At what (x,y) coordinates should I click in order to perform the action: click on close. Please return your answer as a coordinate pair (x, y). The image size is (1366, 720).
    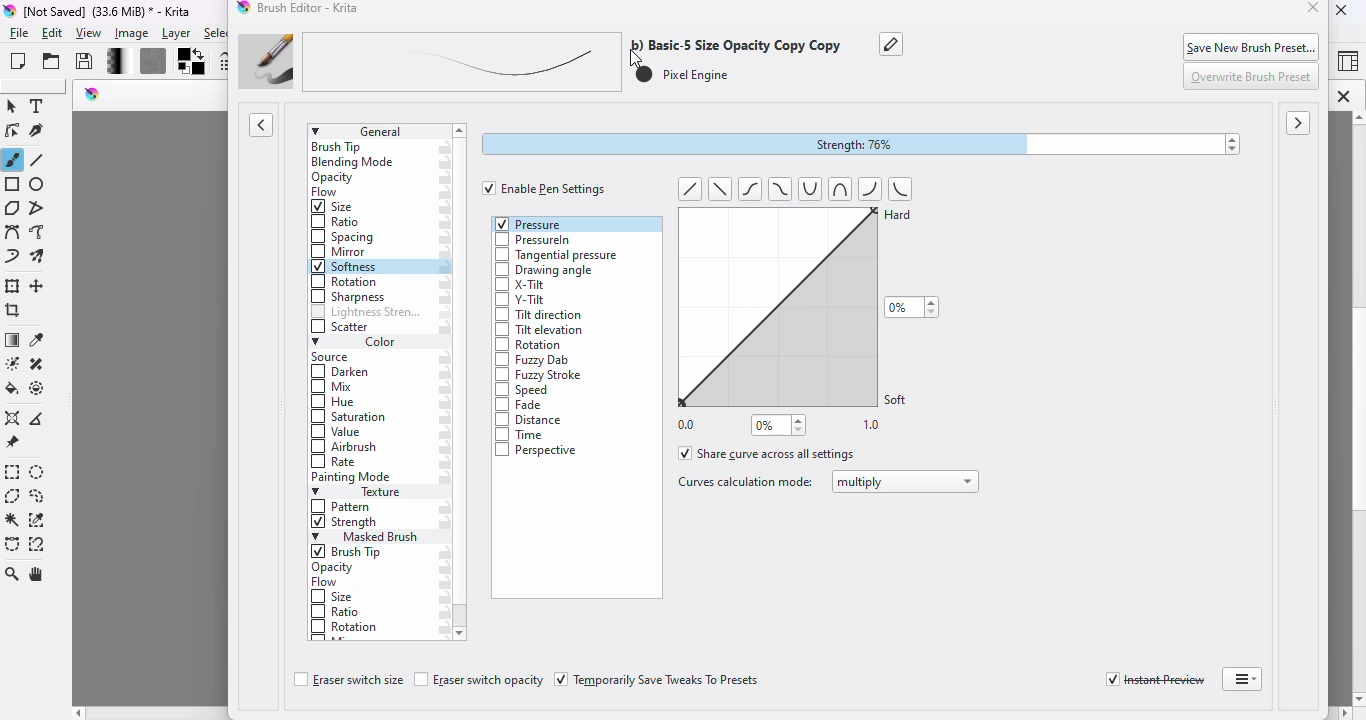
    Looking at the image, I should click on (1343, 10).